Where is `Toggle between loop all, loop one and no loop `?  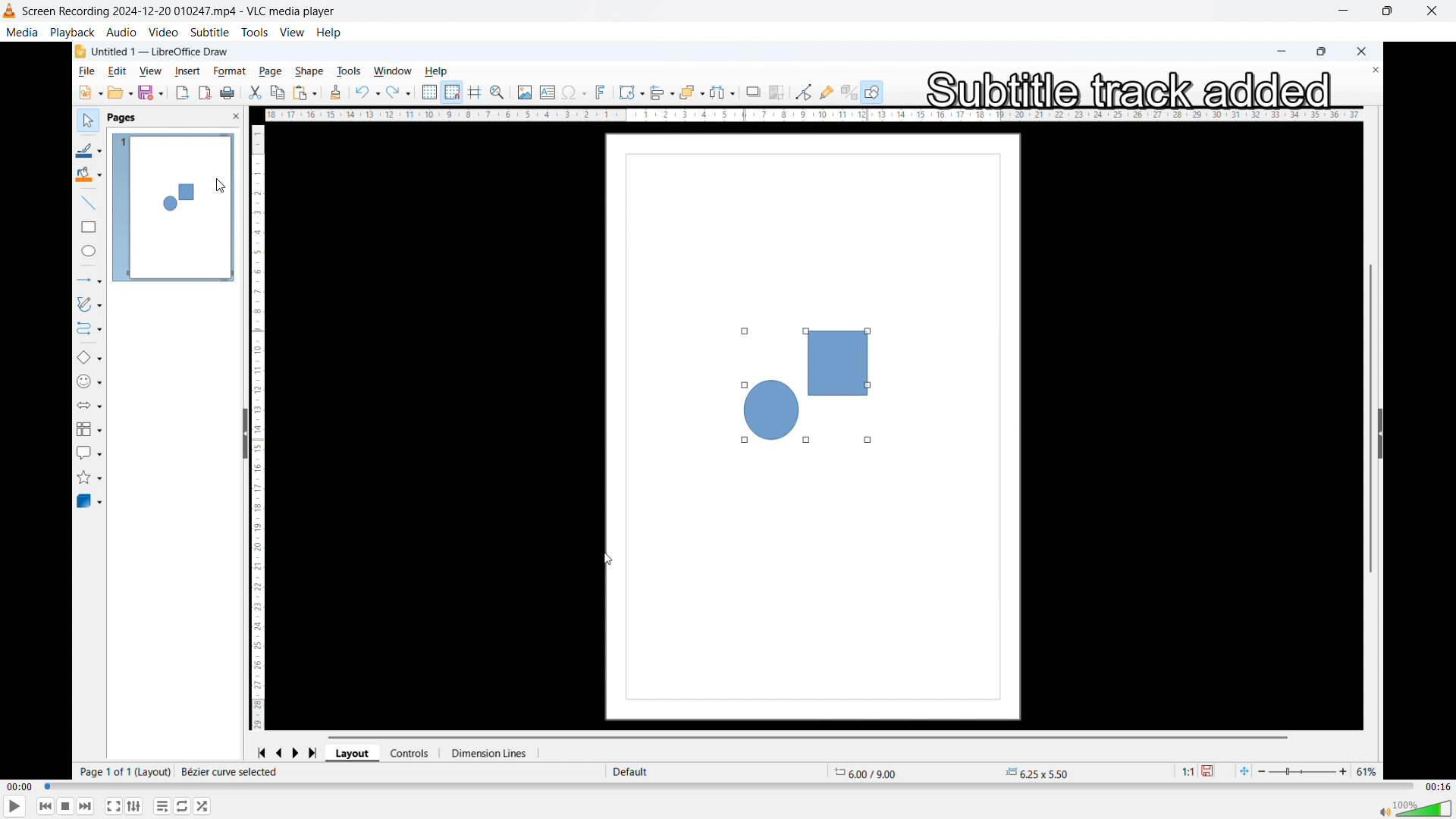
Toggle between loop all, loop one and no loop  is located at coordinates (184, 806).